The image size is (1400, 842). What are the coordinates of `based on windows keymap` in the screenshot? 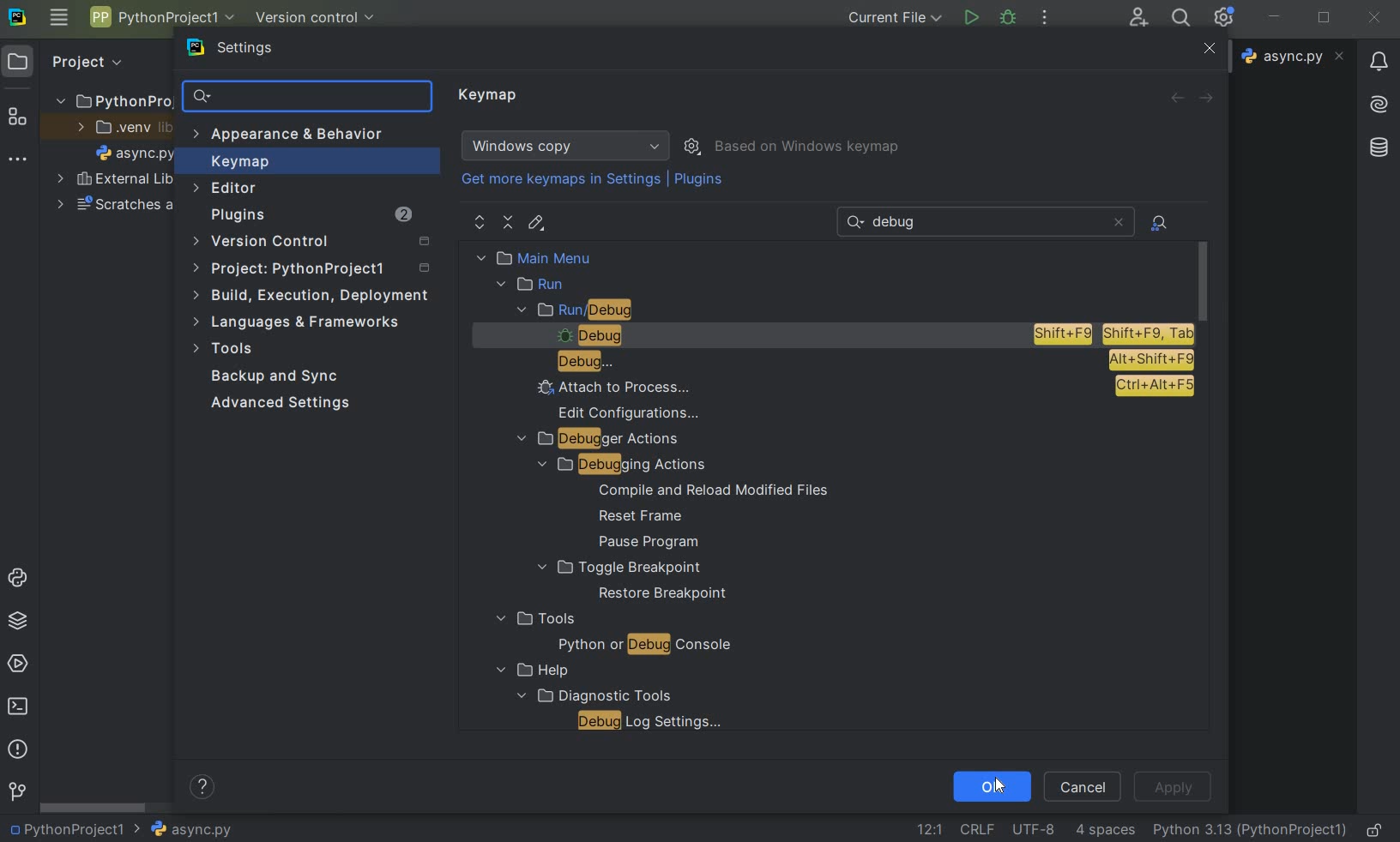 It's located at (808, 147).